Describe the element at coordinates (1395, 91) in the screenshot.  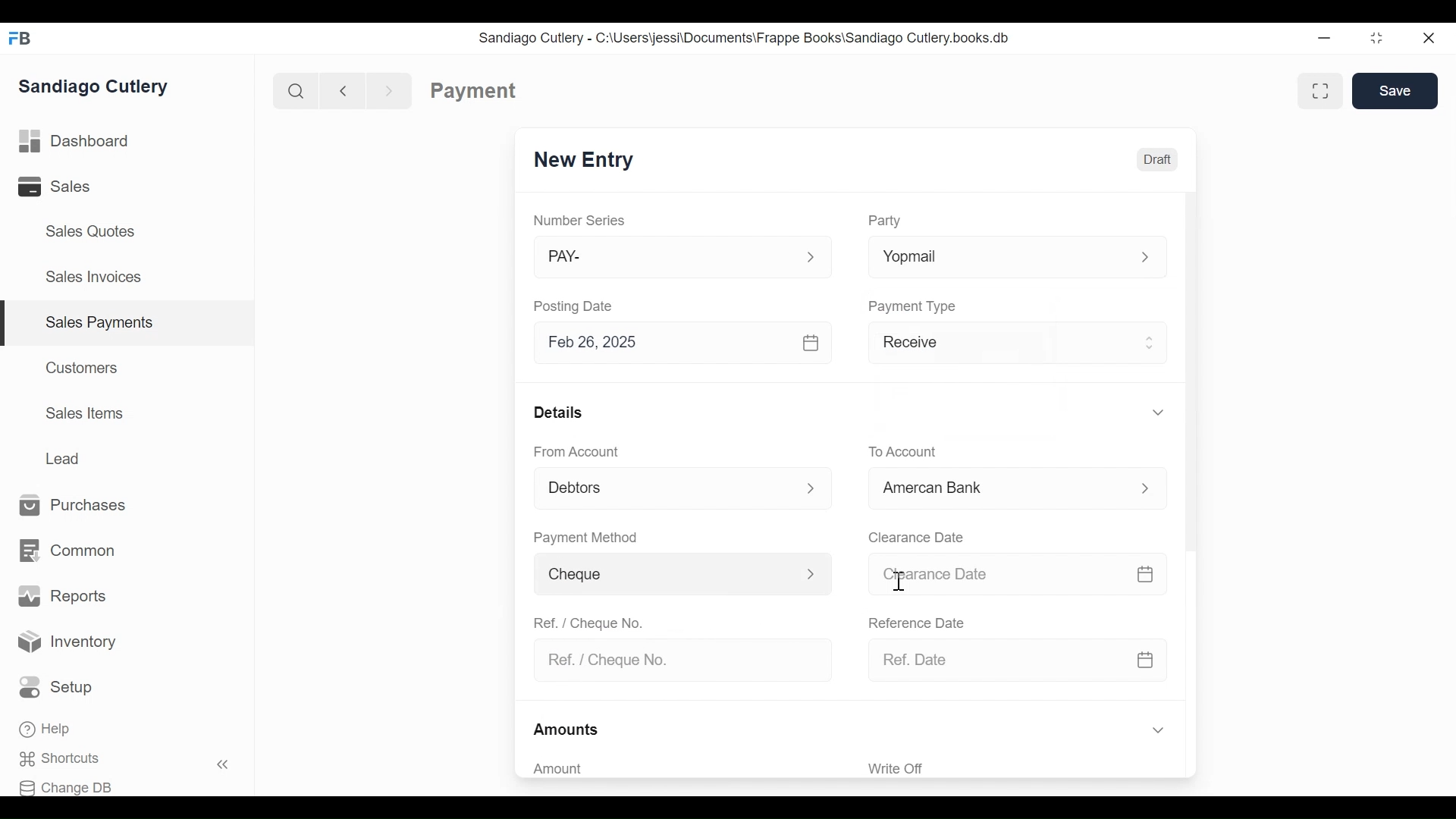
I see `Save` at that location.